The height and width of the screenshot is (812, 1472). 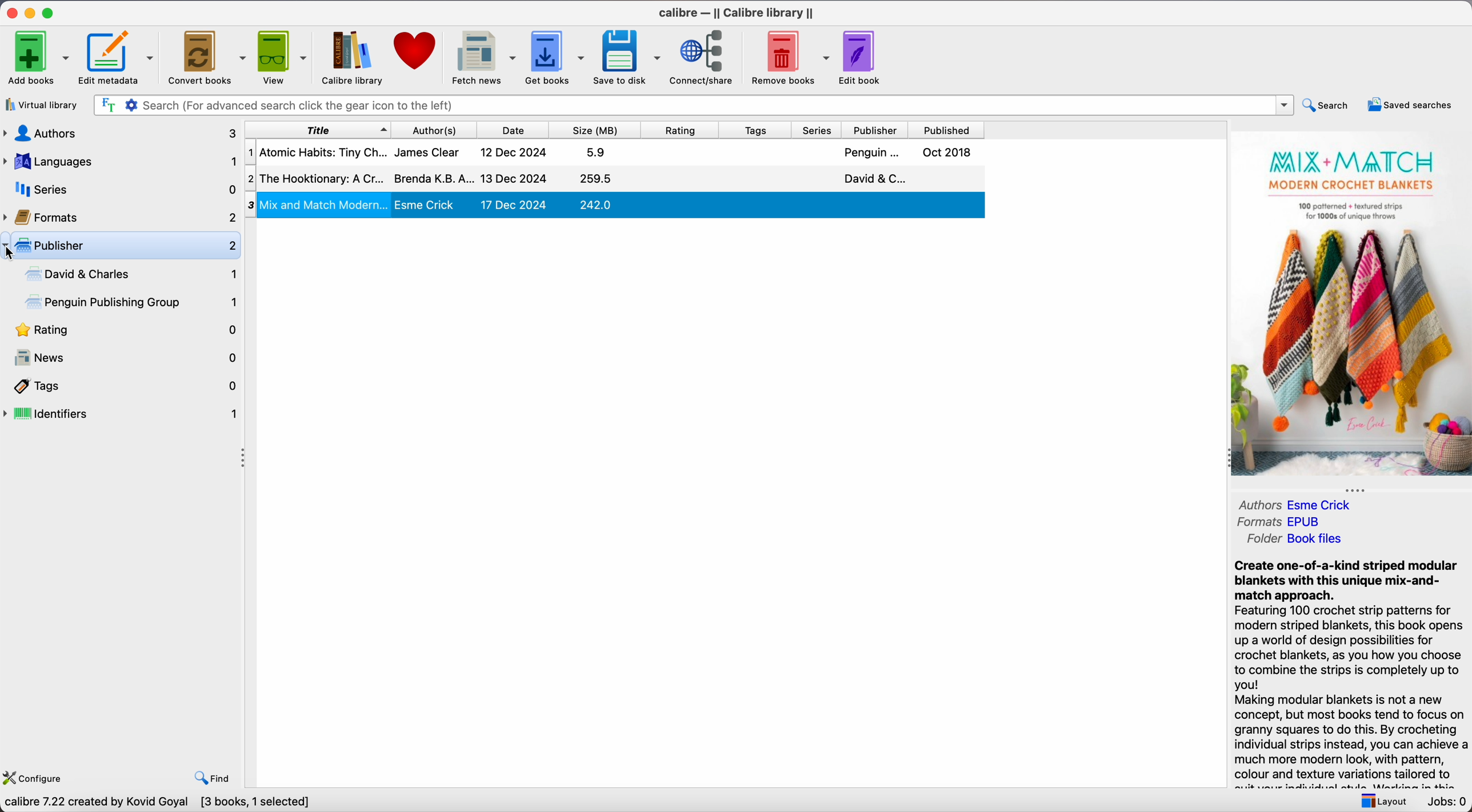 I want to click on atomic habits, so click(x=613, y=153).